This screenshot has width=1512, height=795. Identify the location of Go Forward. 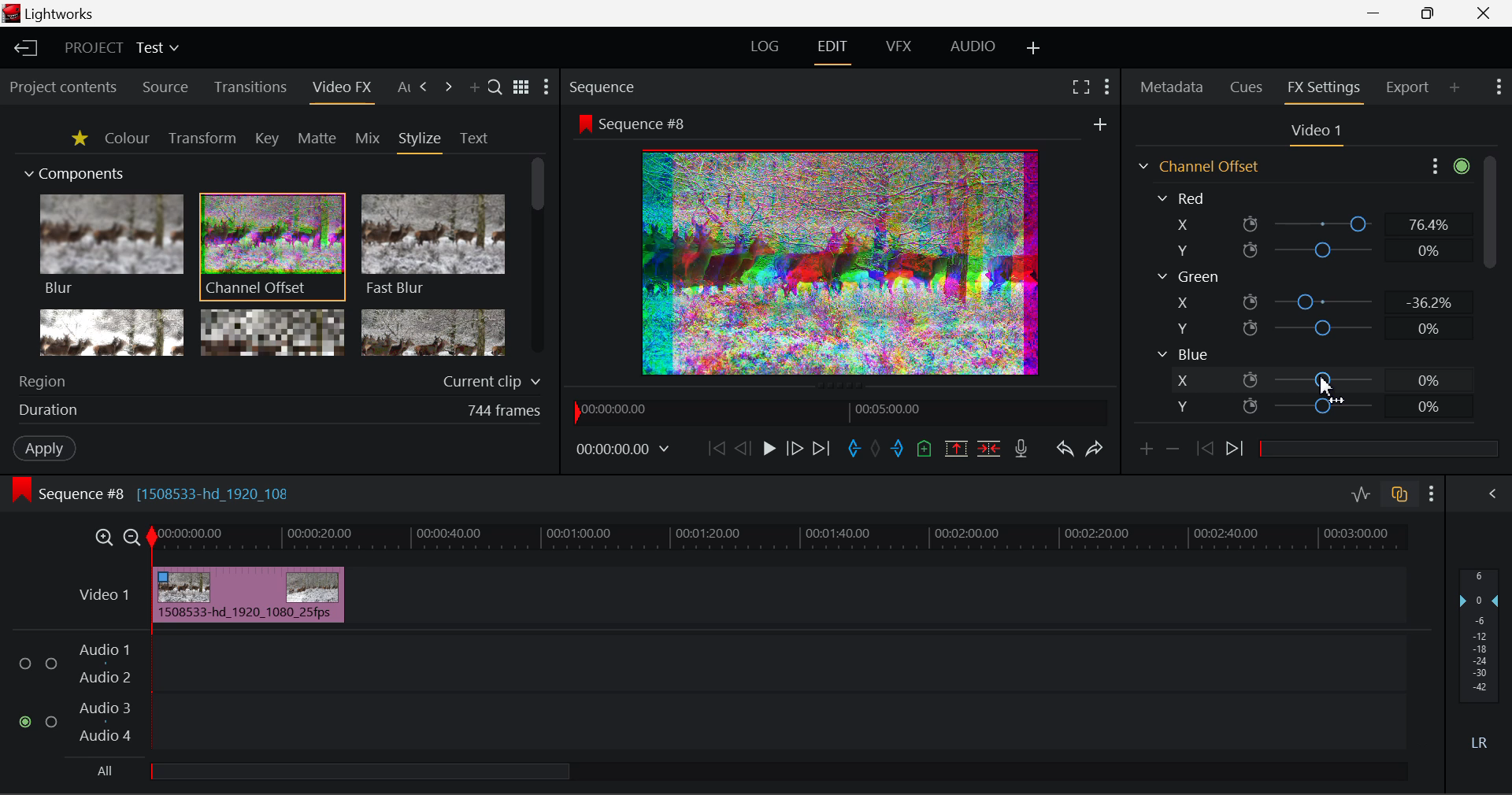
(795, 450).